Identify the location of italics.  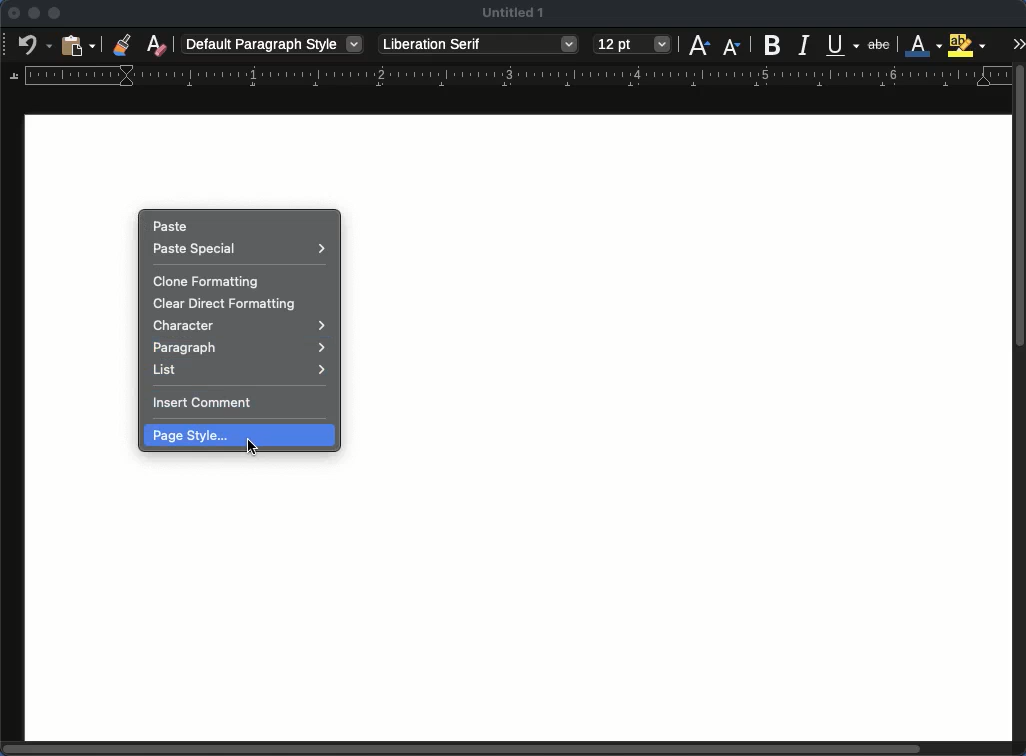
(806, 45).